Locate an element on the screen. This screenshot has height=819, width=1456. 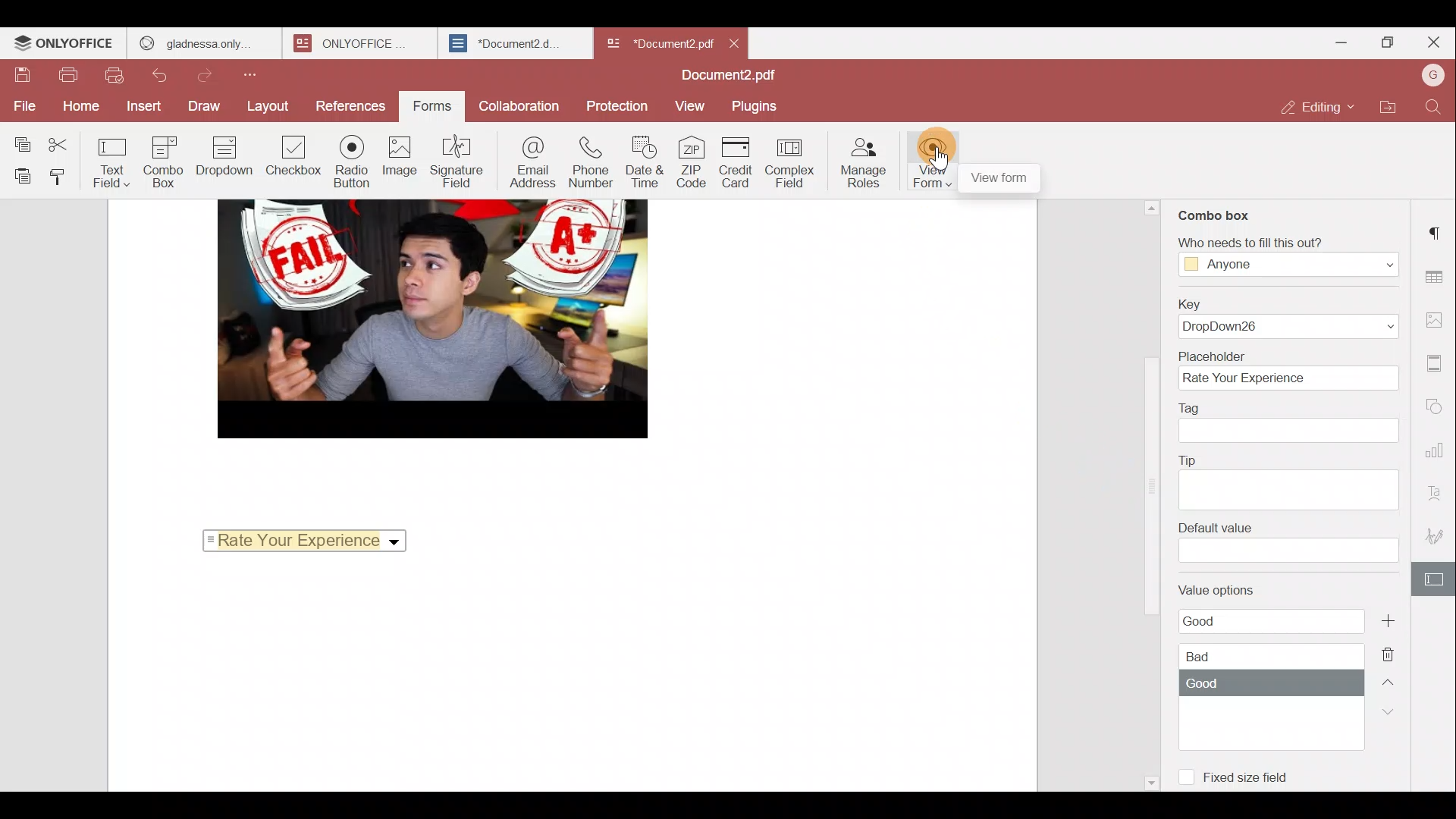
Radio is located at coordinates (352, 162).